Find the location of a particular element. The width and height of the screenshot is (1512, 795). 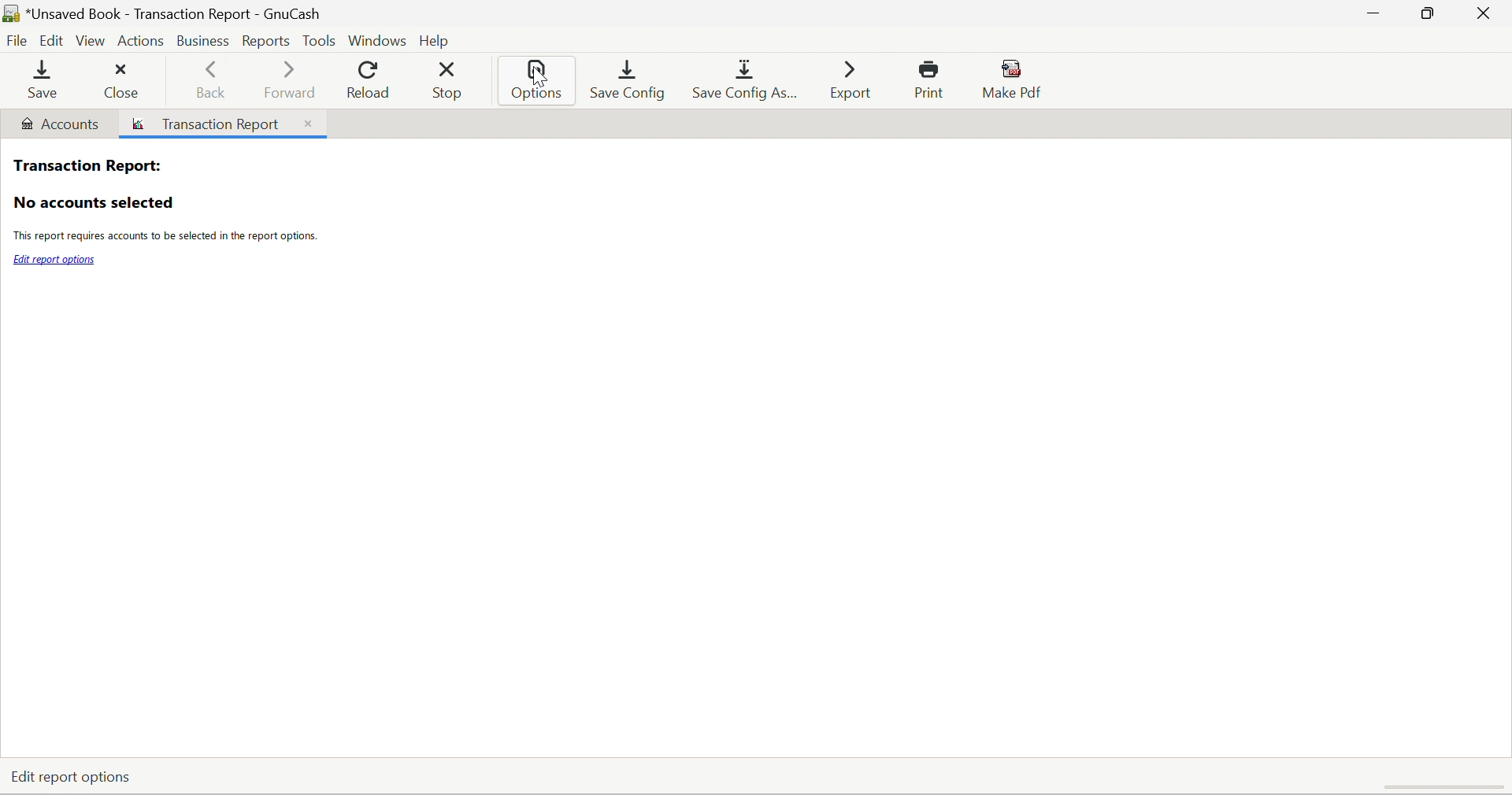

Export is located at coordinates (849, 79).